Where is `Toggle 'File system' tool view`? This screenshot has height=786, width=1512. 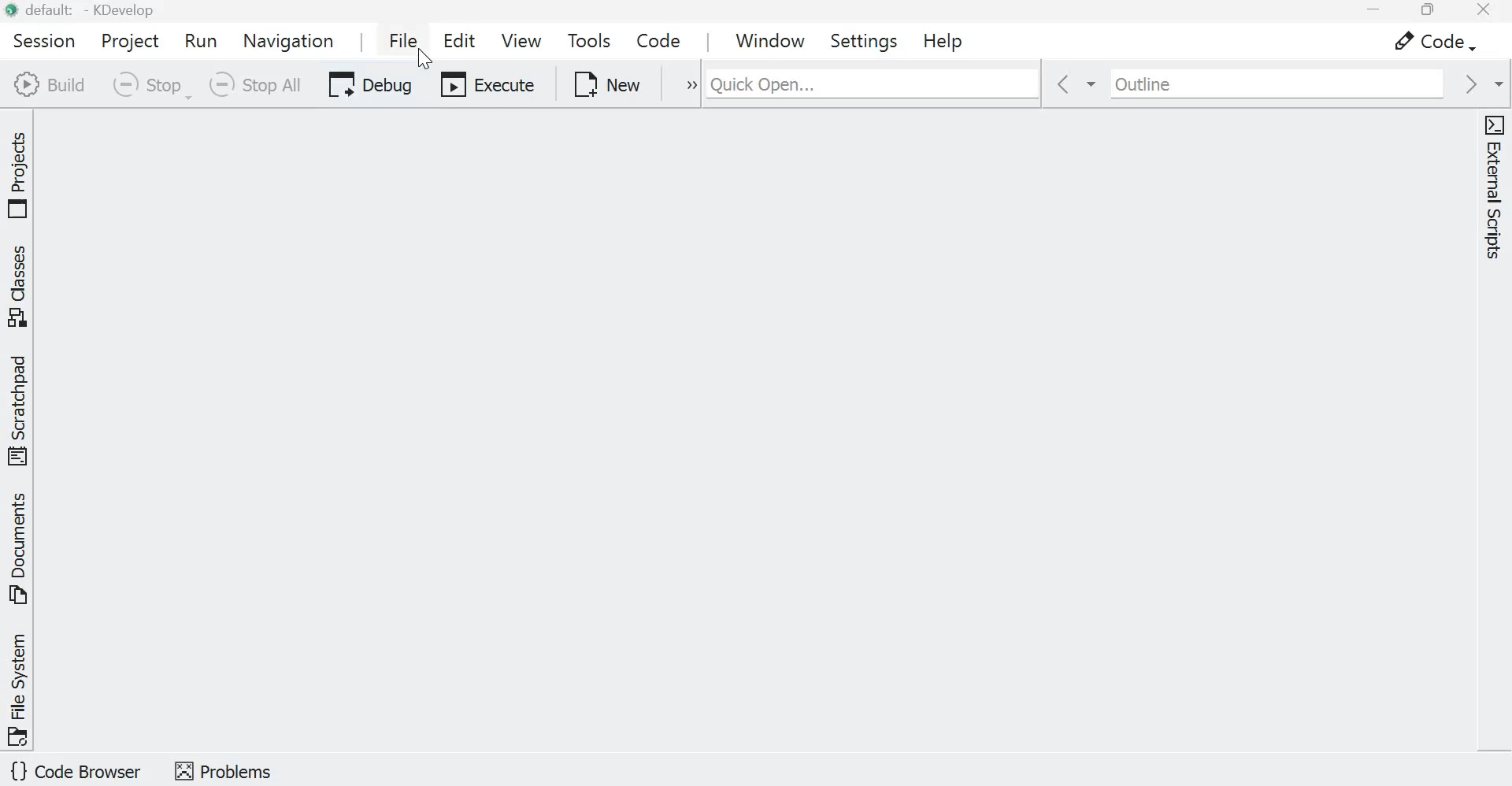
Toggle 'File system' tool view is located at coordinates (20, 688).